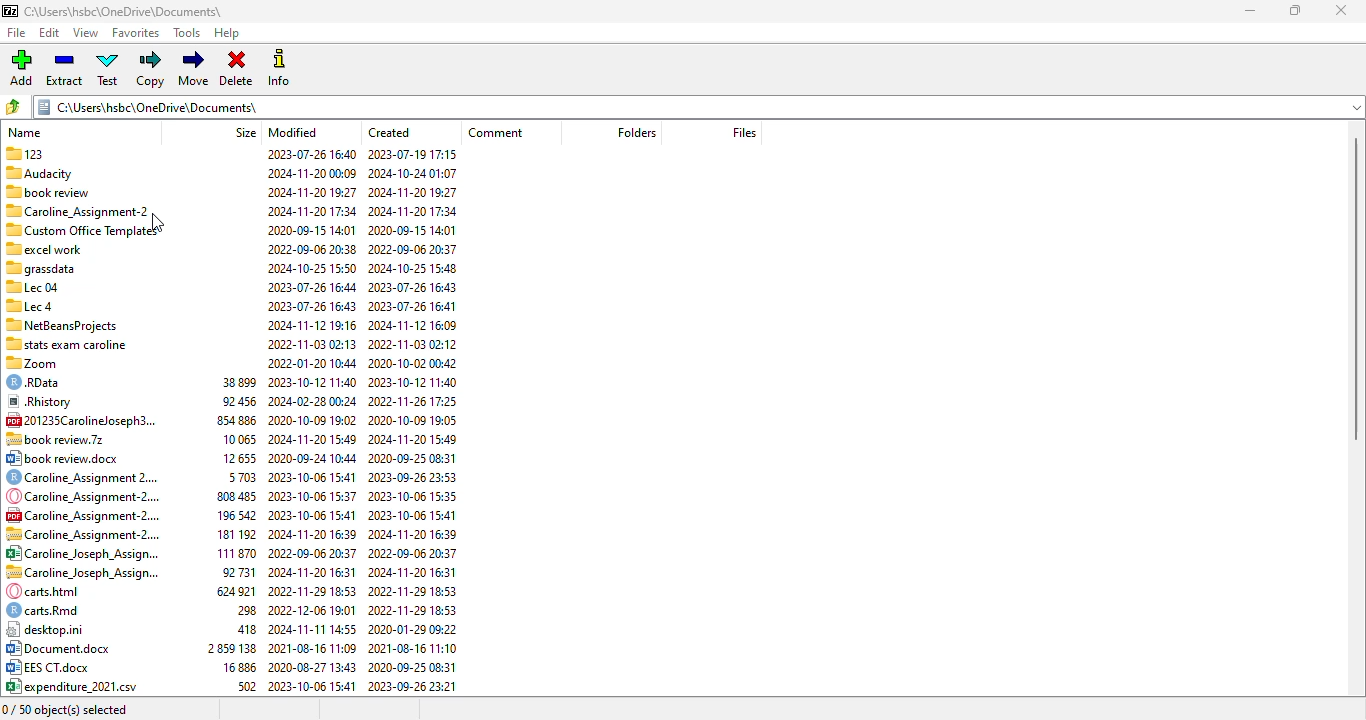 Image resolution: width=1366 pixels, height=720 pixels. I want to click on folders, so click(634, 132).